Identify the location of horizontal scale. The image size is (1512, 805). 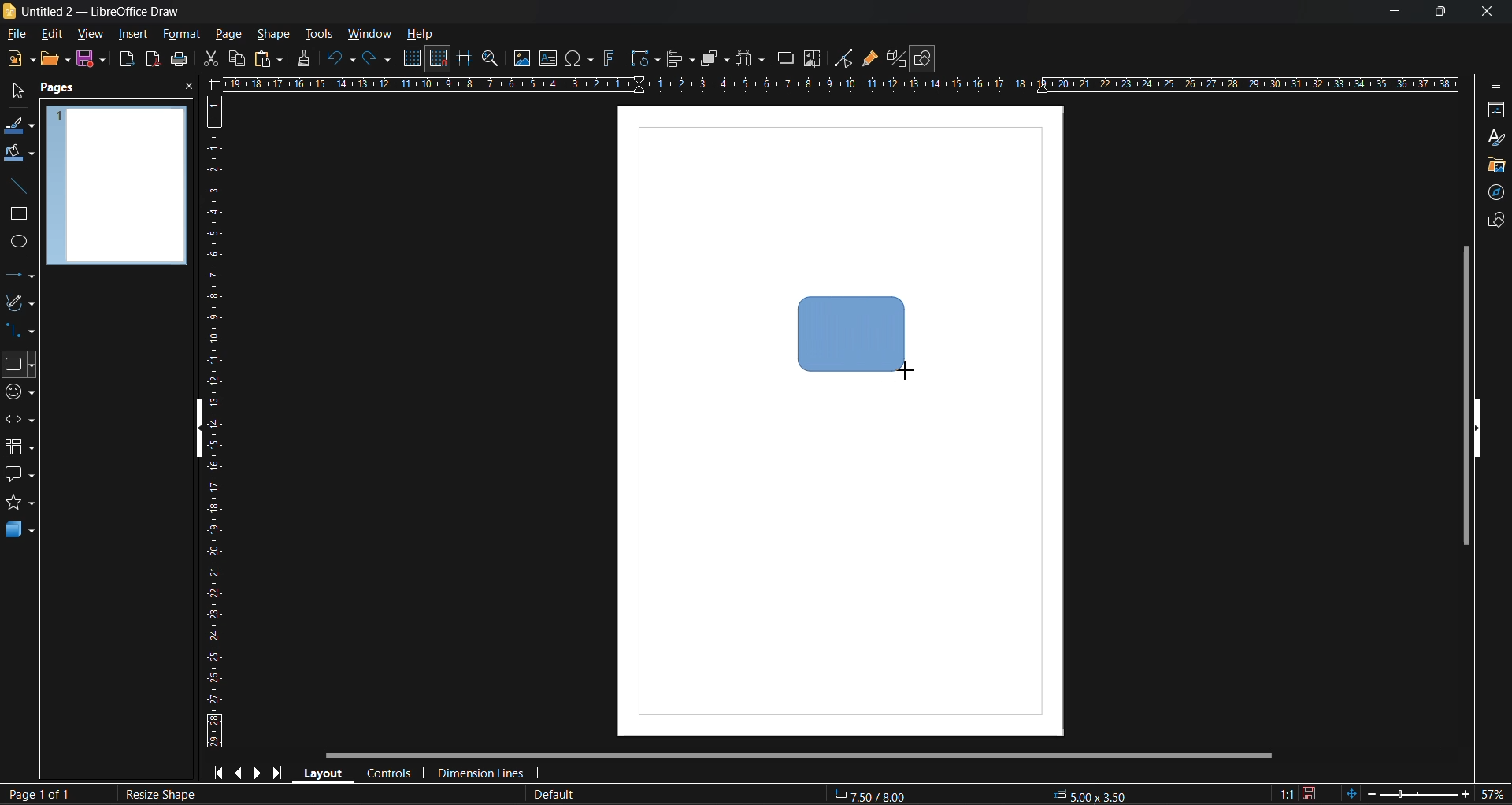
(839, 84).